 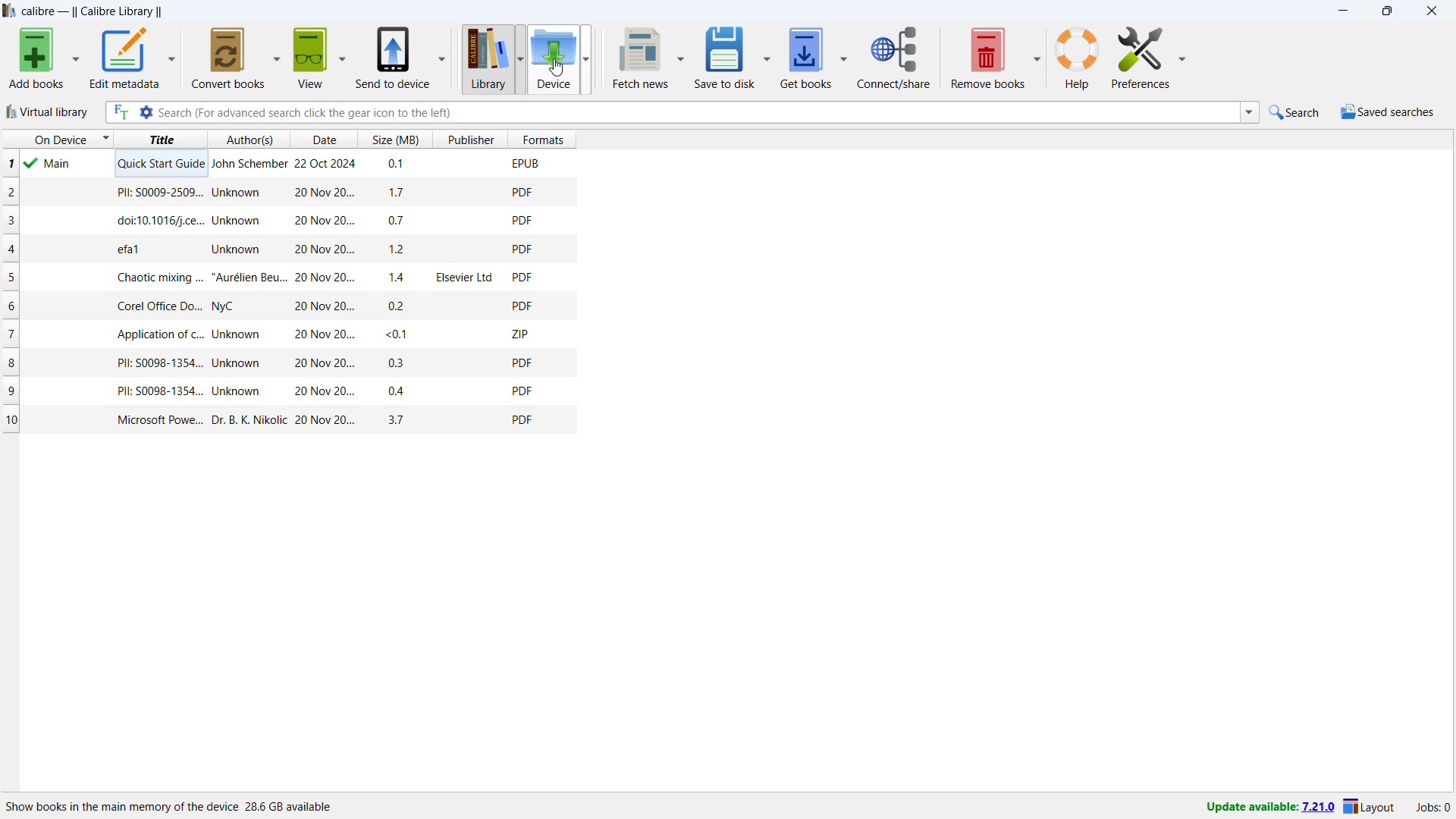 What do you see at coordinates (289, 193) in the screenshot?
I see `` at bounding box center [289, 193].